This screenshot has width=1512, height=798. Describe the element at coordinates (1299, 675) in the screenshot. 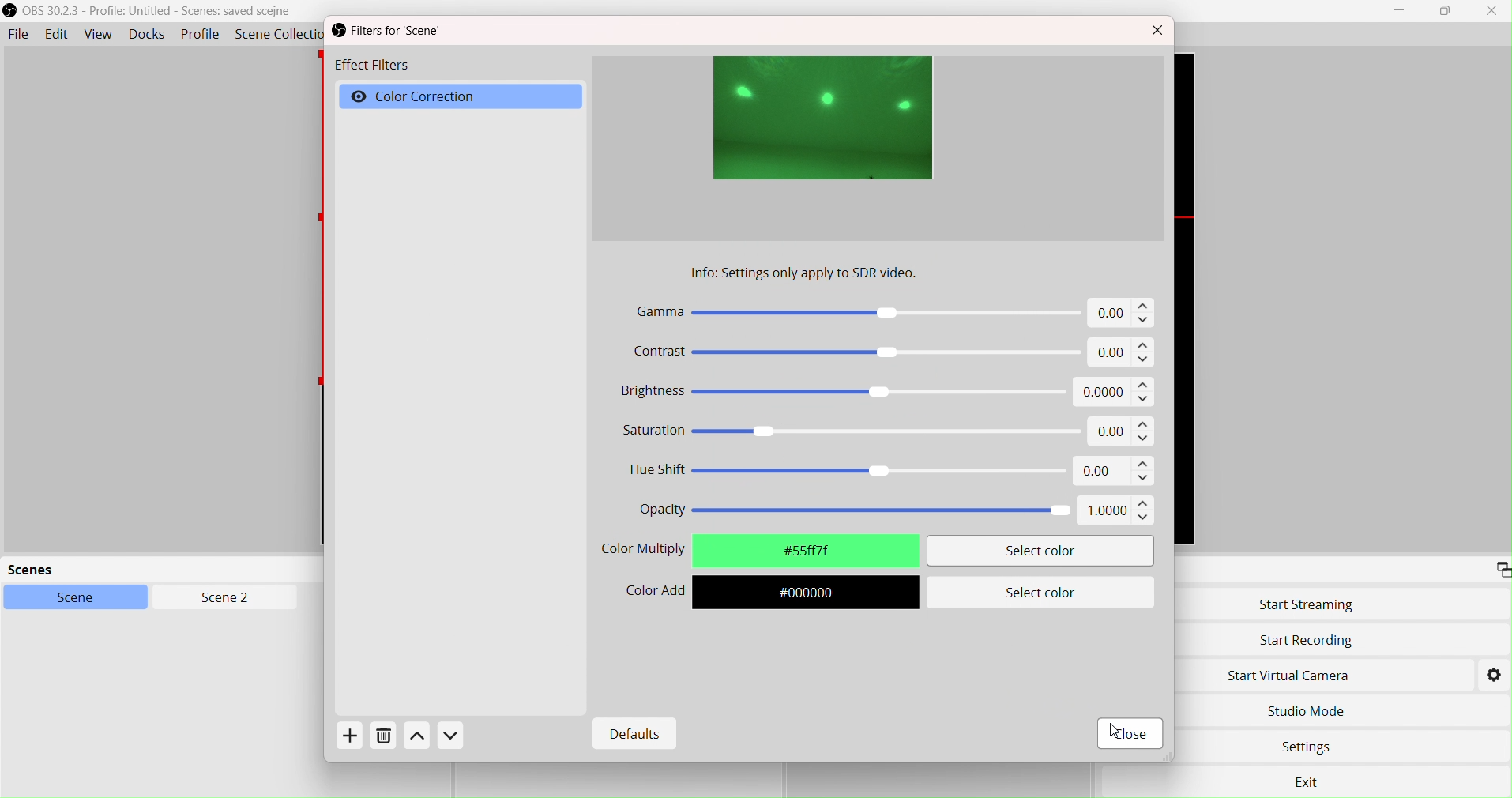

I see `Start Virtual Camera` at that location.